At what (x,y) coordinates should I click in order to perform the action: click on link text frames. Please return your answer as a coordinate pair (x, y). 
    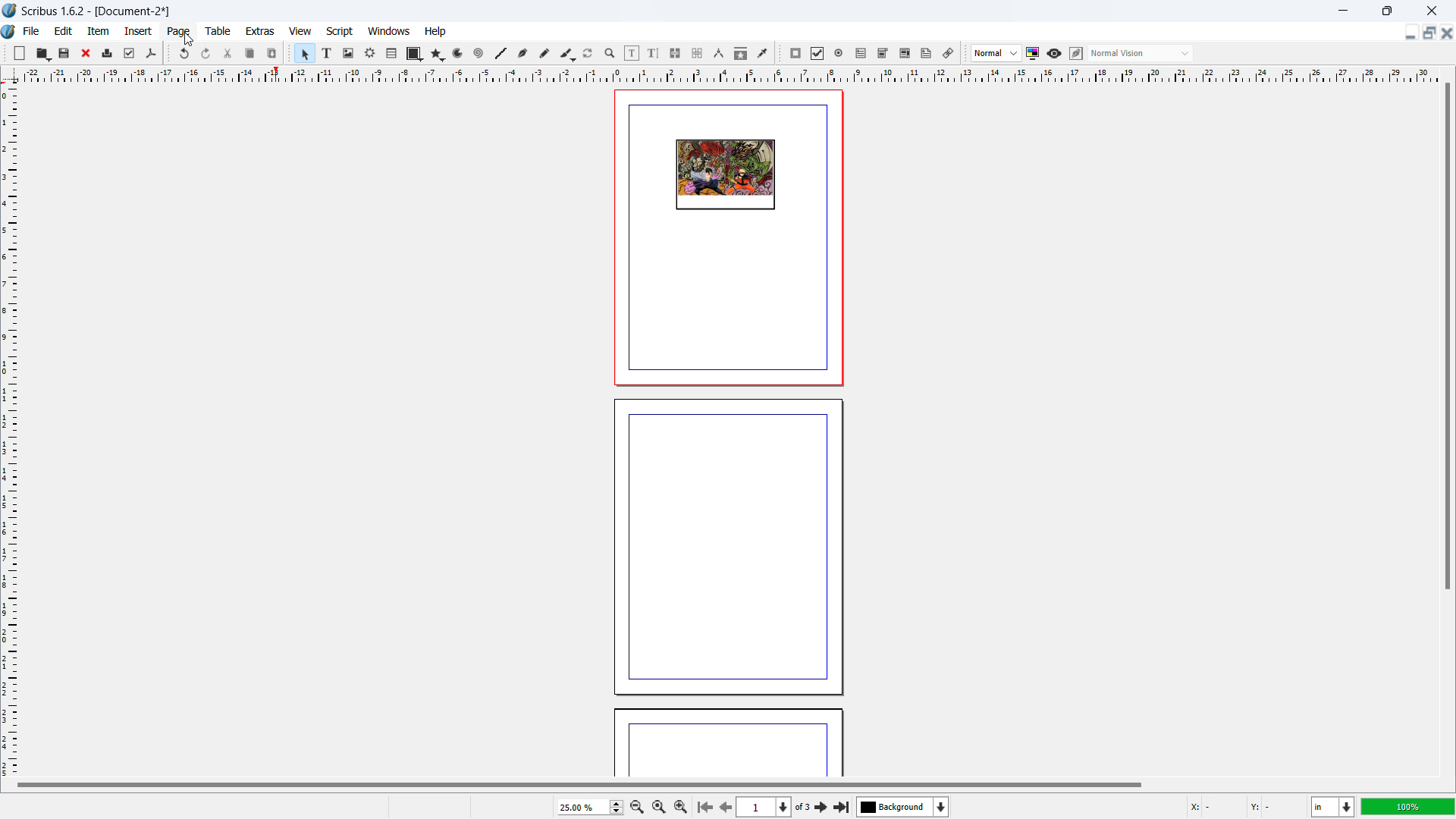
    Looking at the image, I should click on (676, 54).